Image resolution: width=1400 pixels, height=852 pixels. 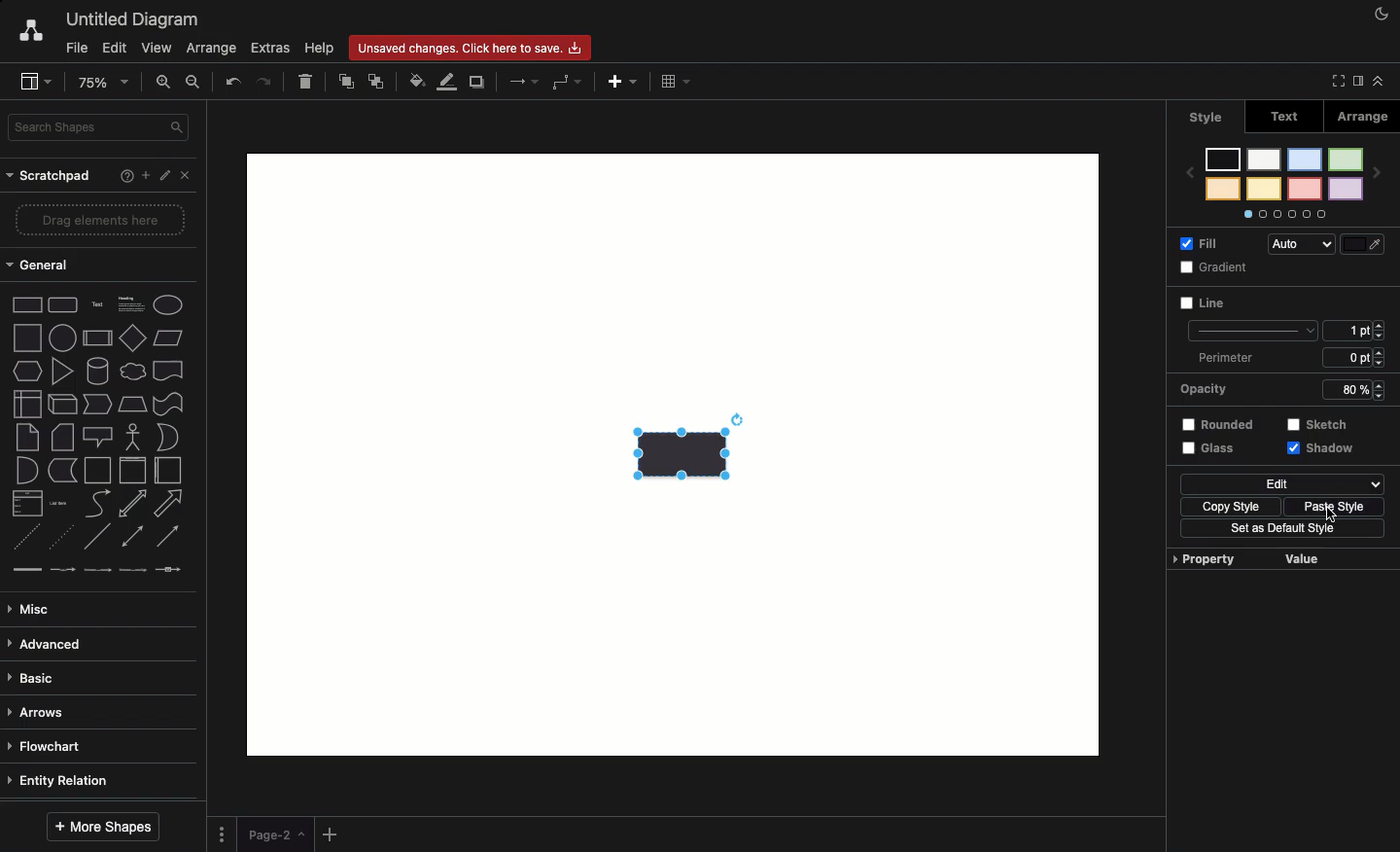 I want to click on color 7, so click(x=1221, y=160).